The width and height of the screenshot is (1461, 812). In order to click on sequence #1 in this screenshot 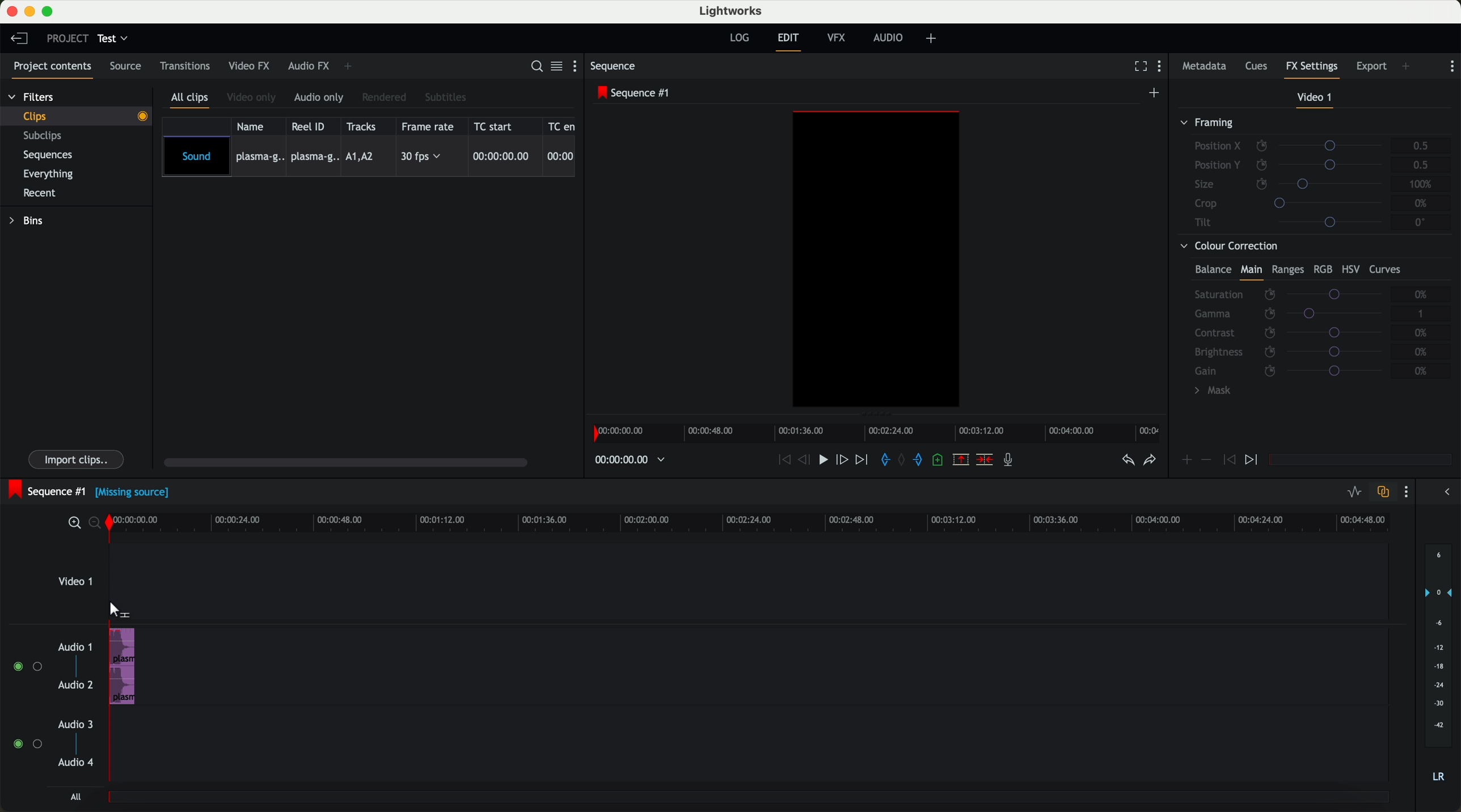, I will do `click(47, 489)`.